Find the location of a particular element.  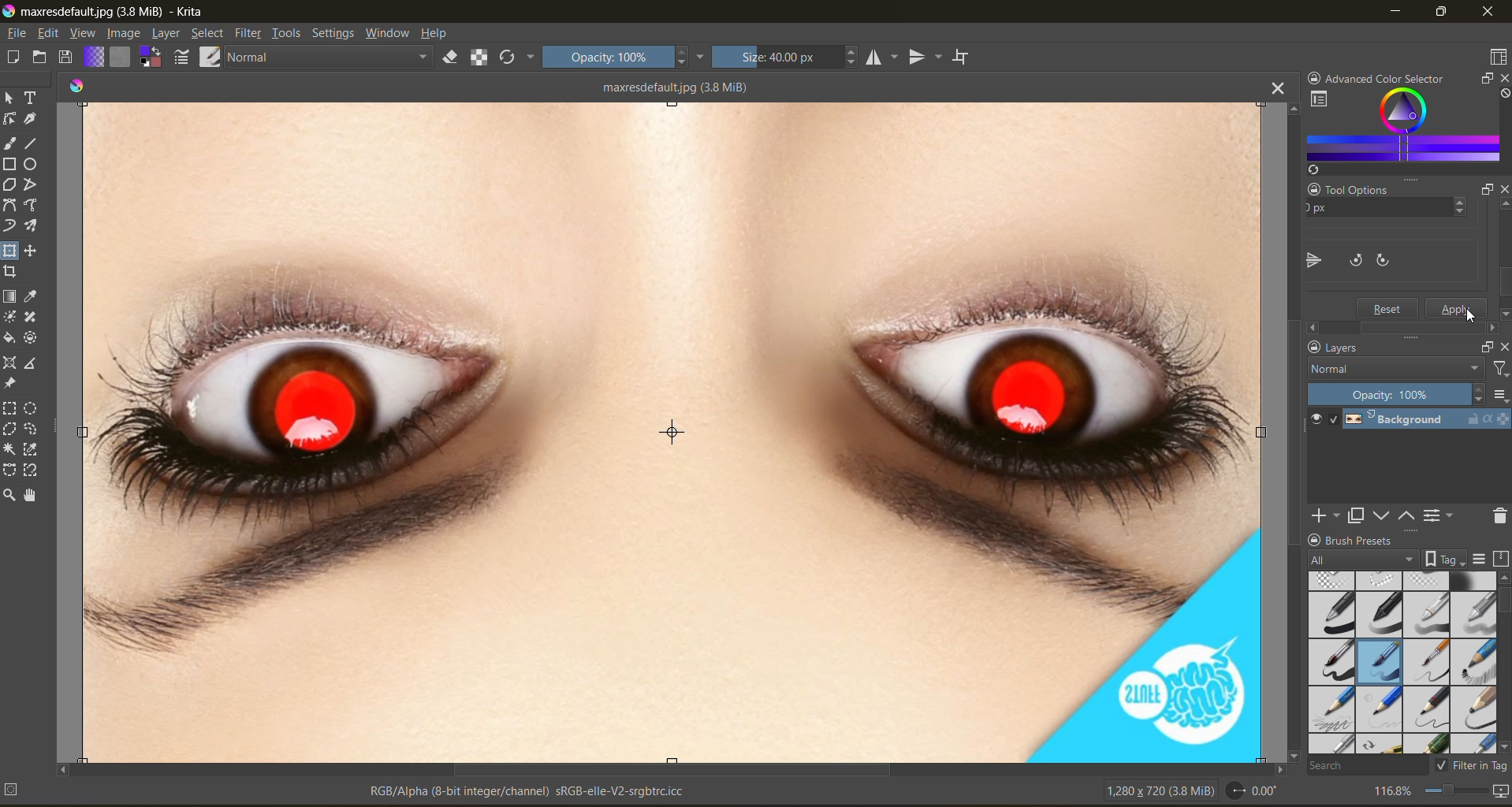

tool is located at coordinates (36, 295).